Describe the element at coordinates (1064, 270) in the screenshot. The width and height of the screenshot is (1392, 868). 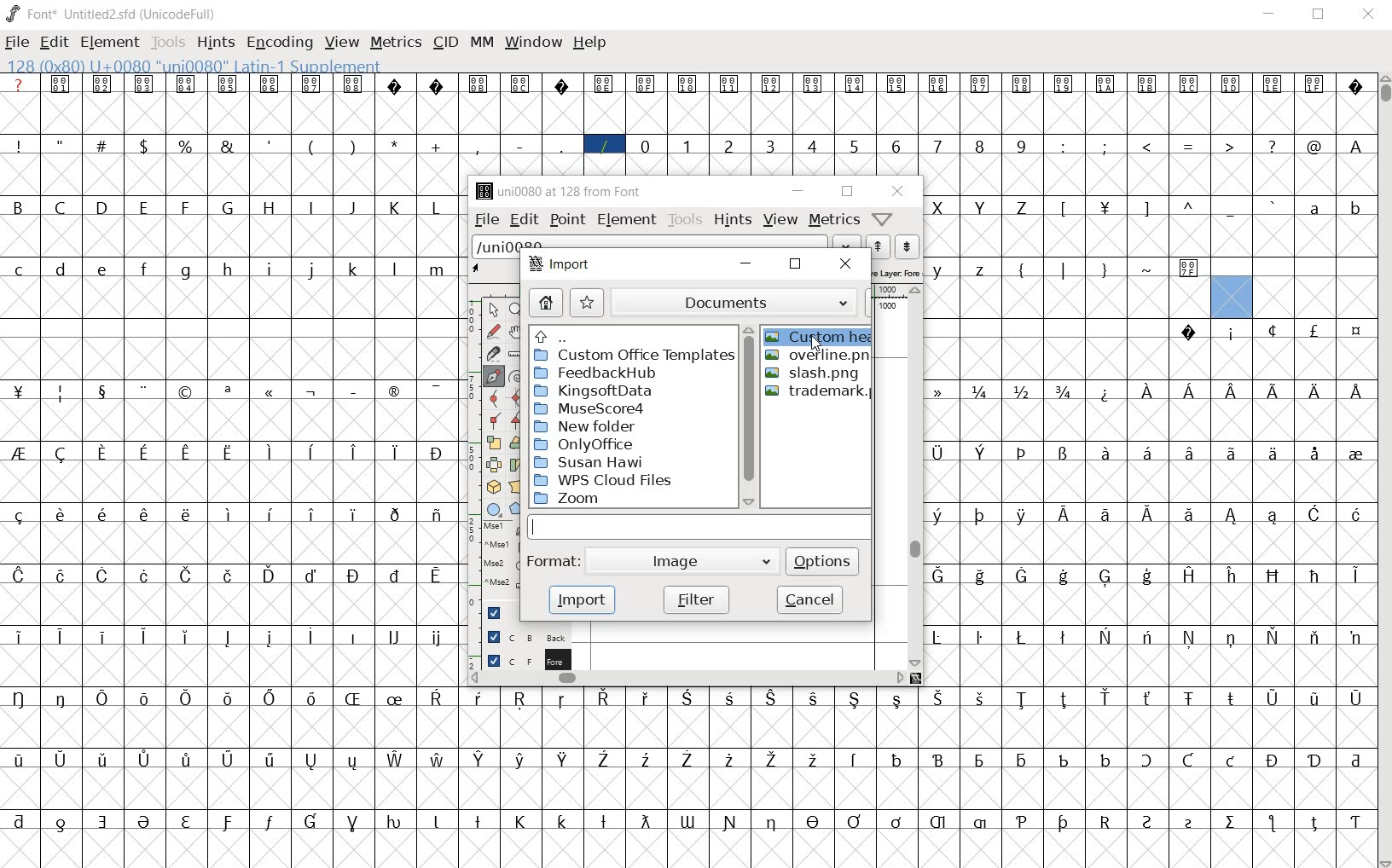
I see `glyph` at that location.